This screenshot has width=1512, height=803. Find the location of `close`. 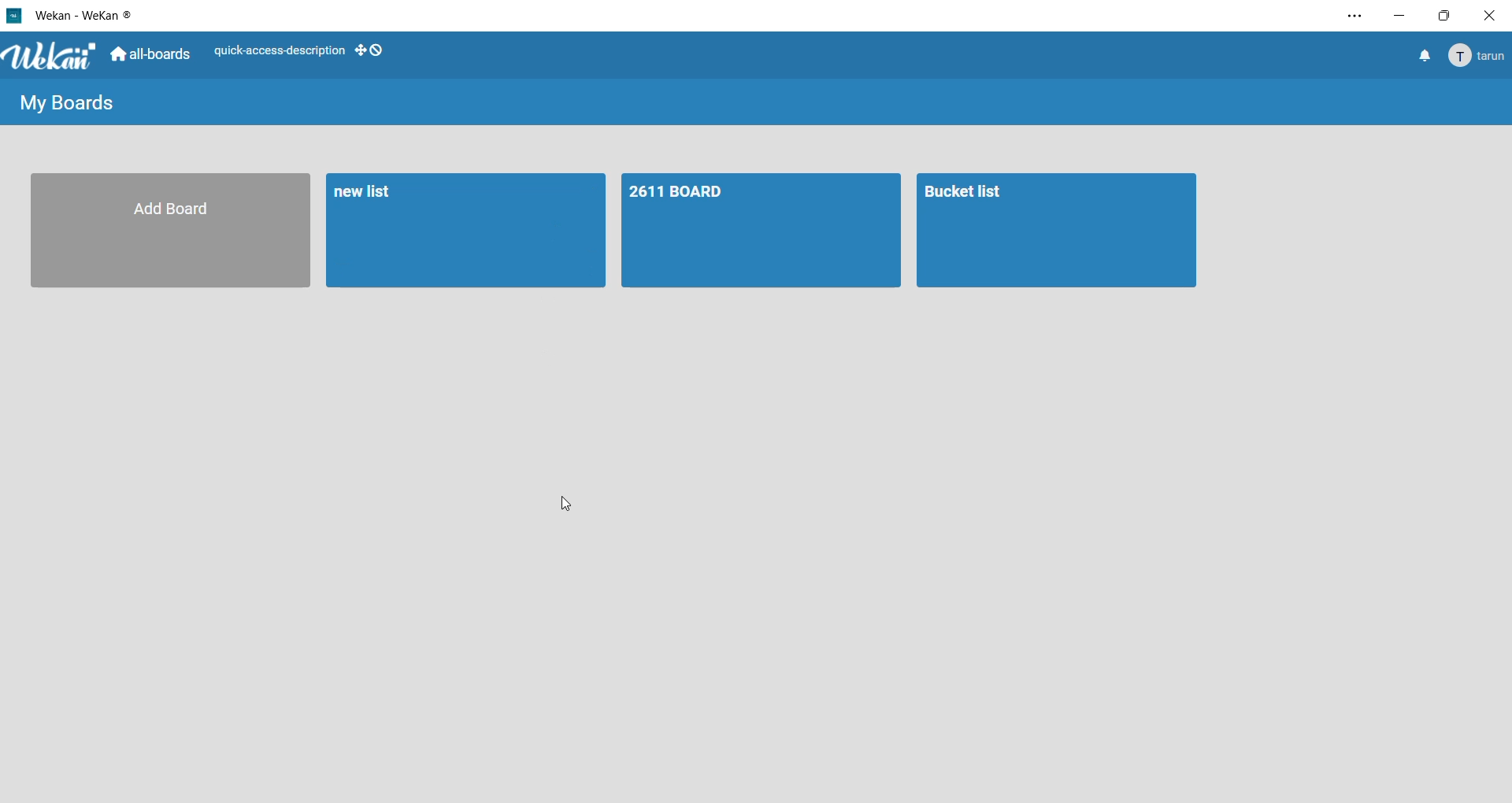

close is located at coordinates (1488, 16).